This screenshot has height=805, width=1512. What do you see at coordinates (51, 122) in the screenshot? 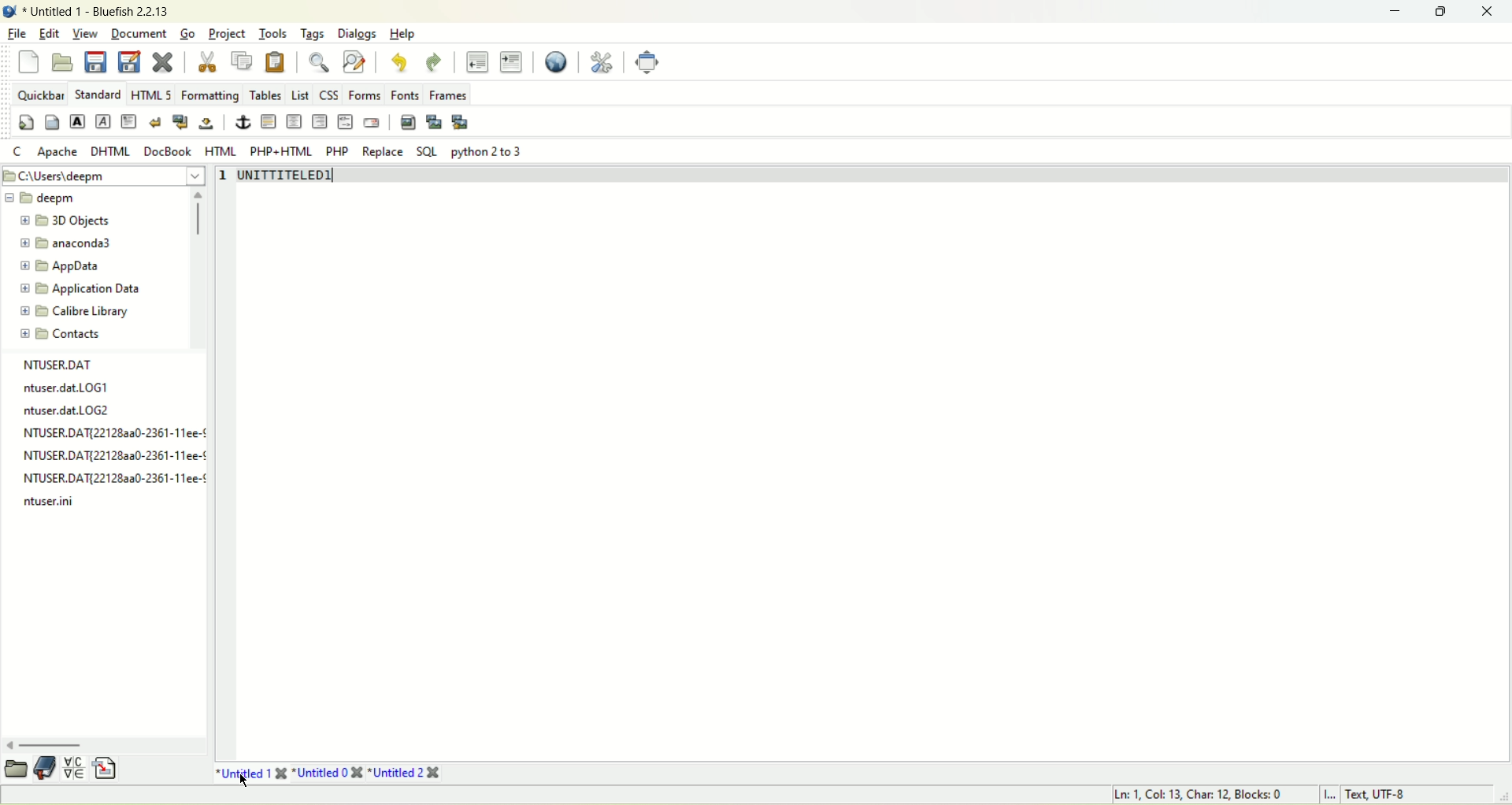
I see `body` at bounding box center [51, 122].